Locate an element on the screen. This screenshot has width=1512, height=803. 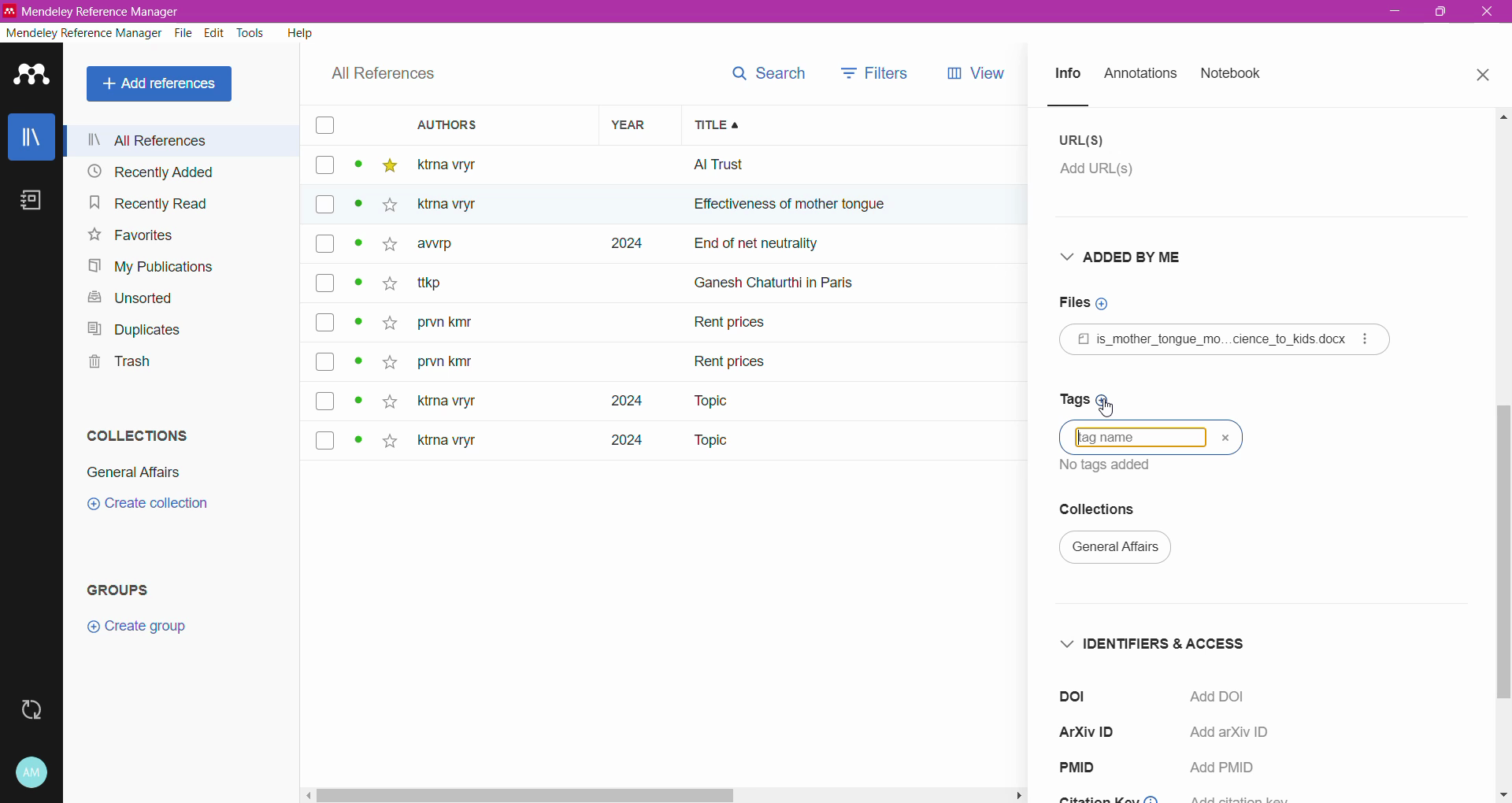
Help is located at coordinates (301, 32).